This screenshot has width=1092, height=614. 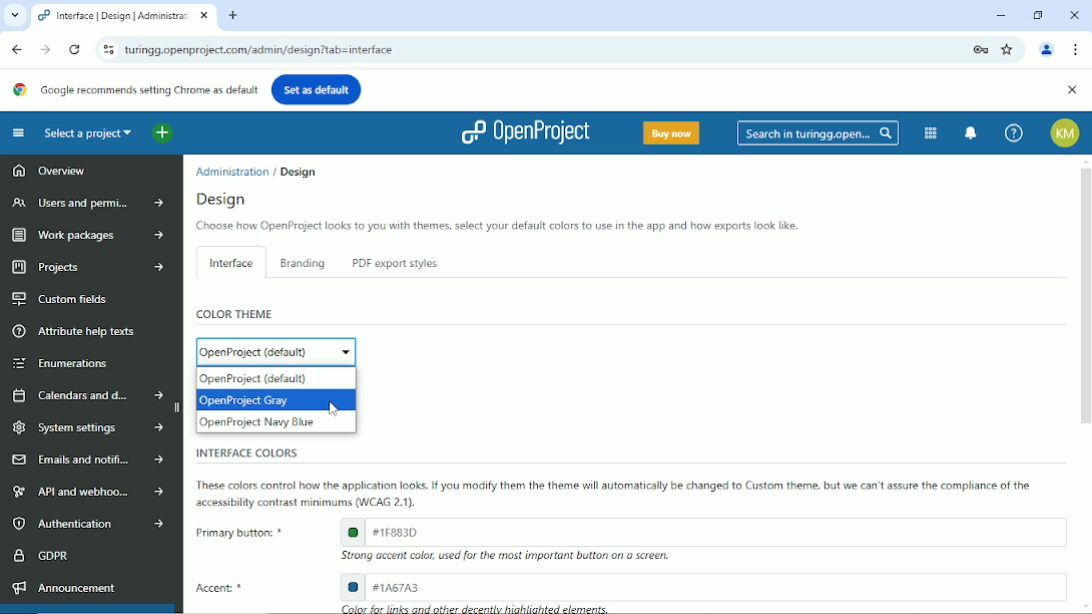 I want to click on Set as default , so click(x=317, y=88).